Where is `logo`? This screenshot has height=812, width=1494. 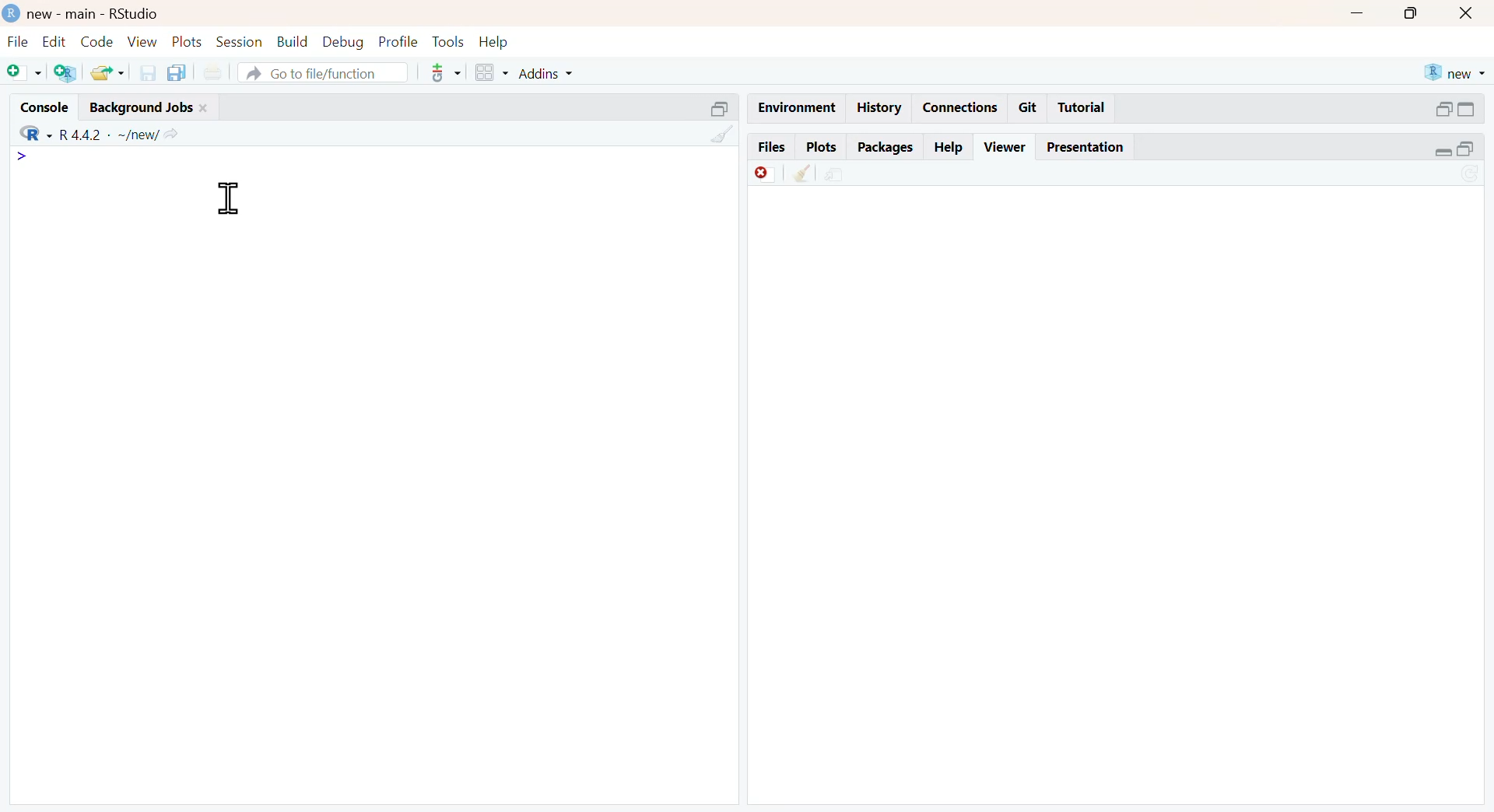
logo is located at coordinates (13, 12).